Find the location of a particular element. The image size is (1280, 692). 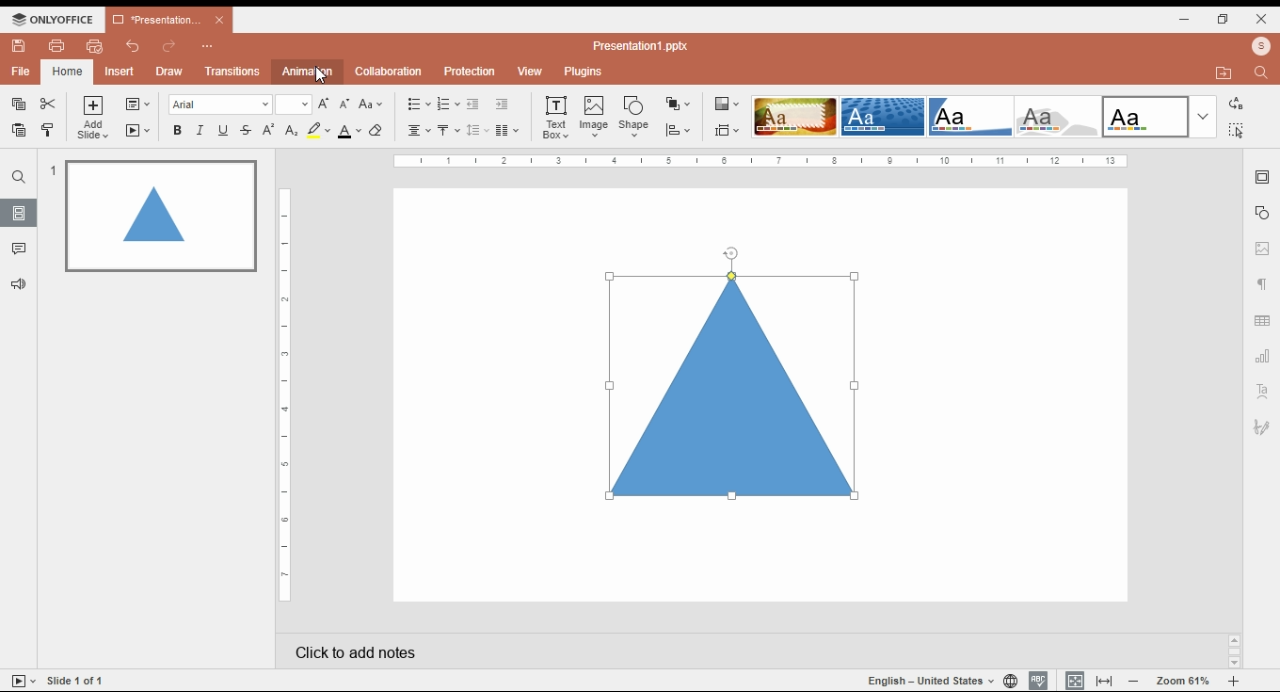

horizontal alignments is located at coordinates (419, 129).